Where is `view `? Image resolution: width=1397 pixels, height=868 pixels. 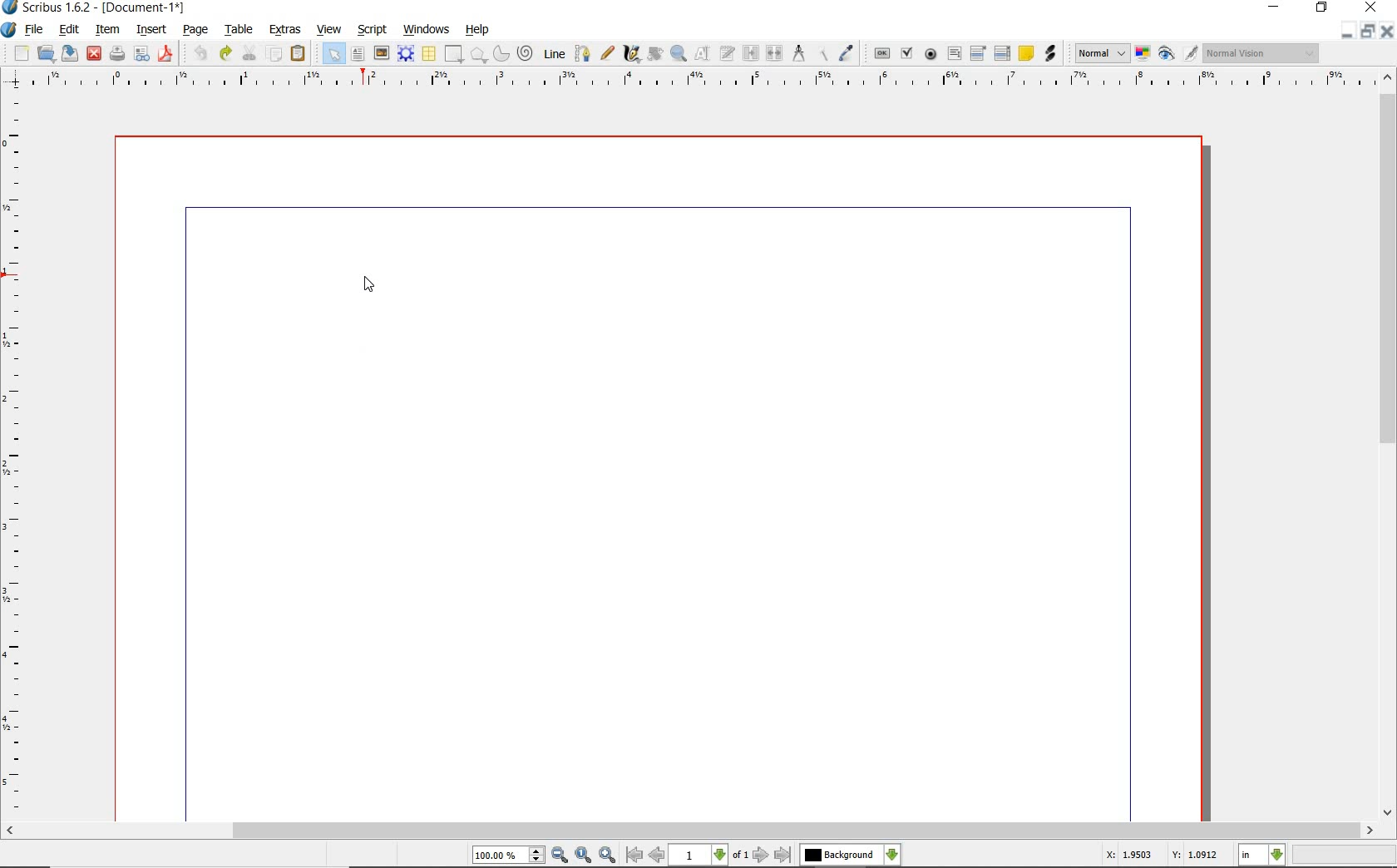 view  is located at coordinates (332, 30).